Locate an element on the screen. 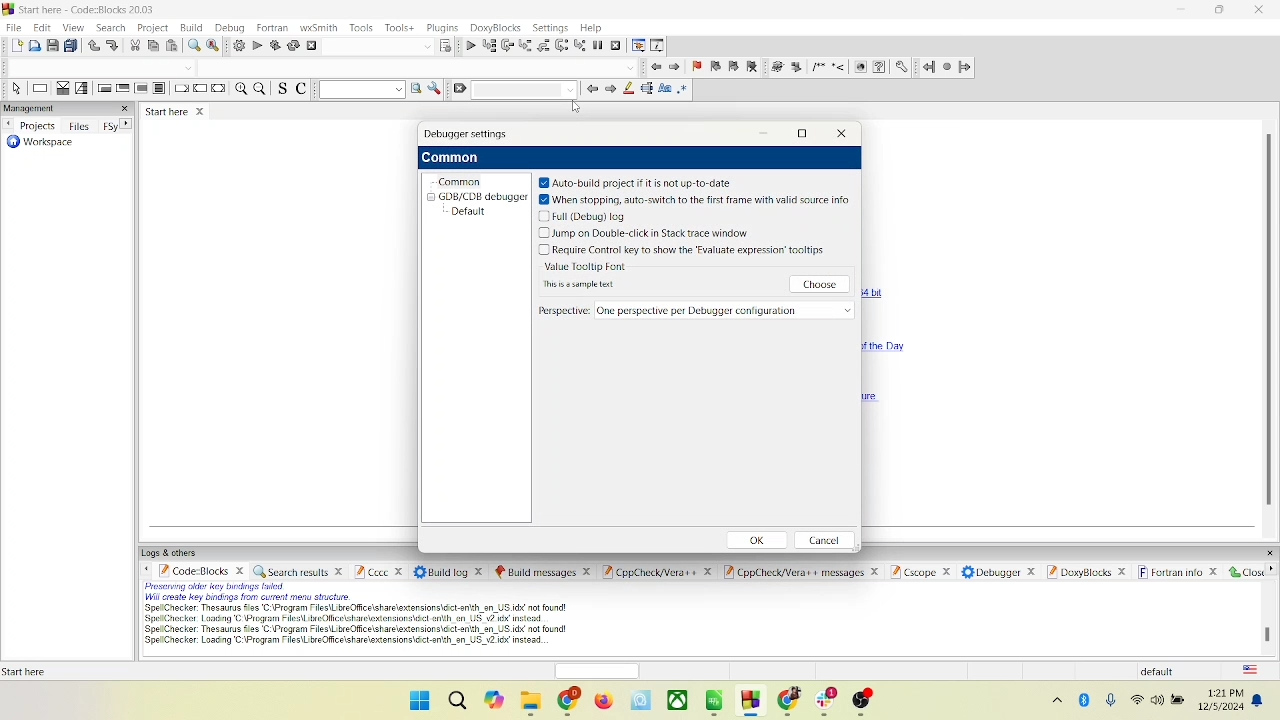 The height and width of the screenshot is (720, 1280). web is located at coordinates (859, 66).